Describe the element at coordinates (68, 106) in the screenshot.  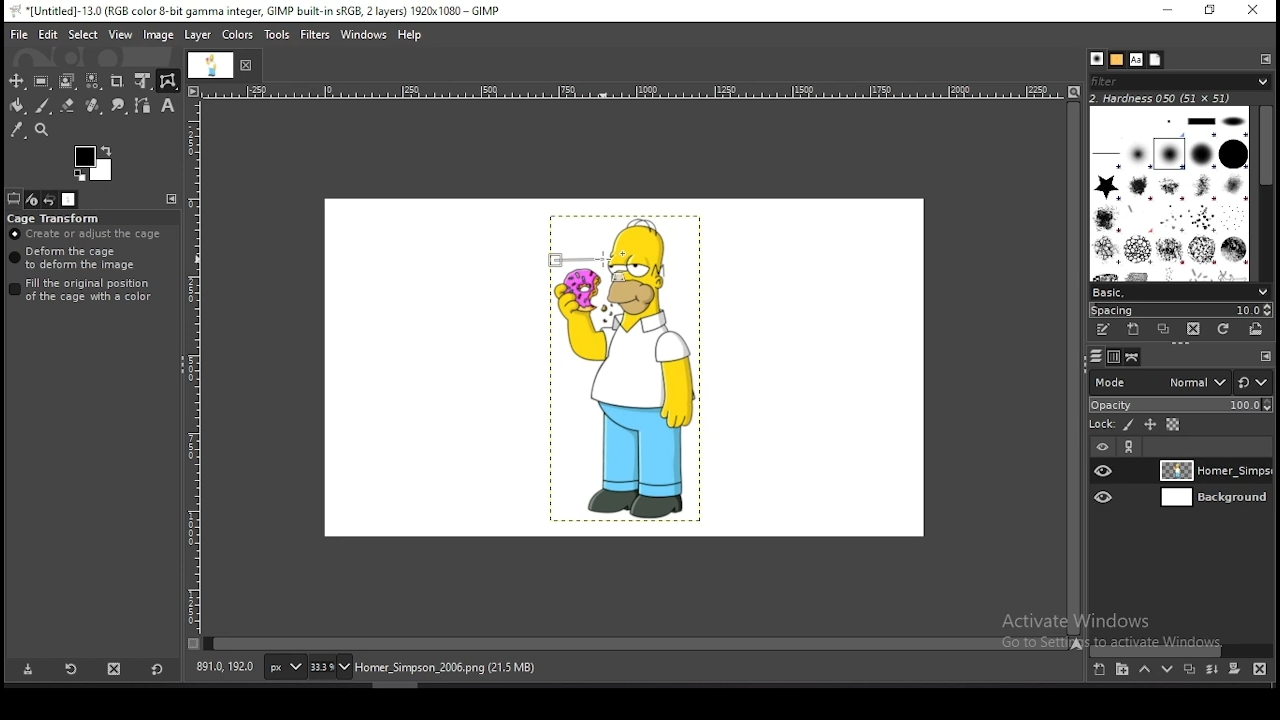
I see `eraser tool` at that location.